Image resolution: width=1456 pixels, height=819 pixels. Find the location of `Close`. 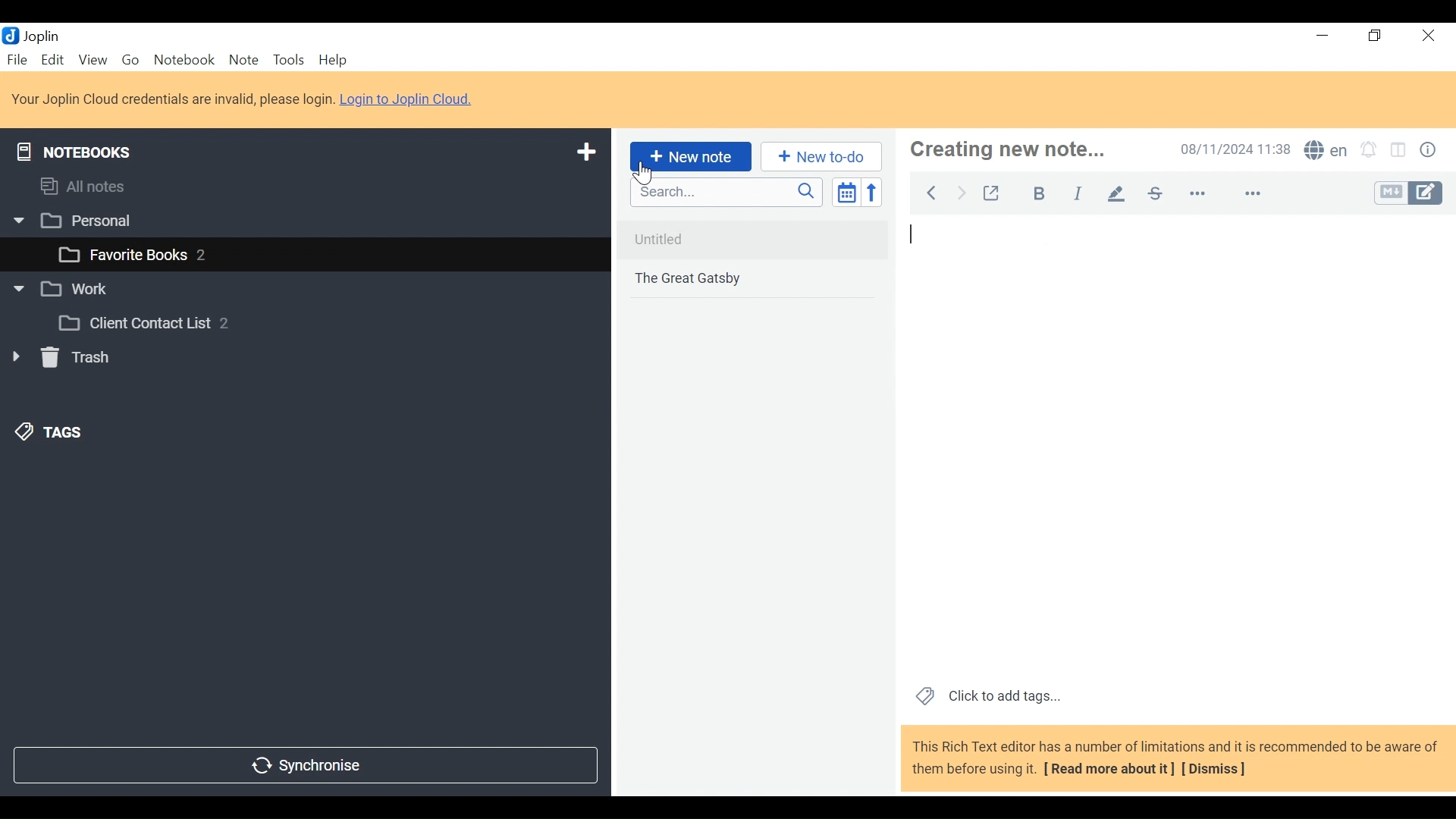

Close is located at coordinates (1429, 34).